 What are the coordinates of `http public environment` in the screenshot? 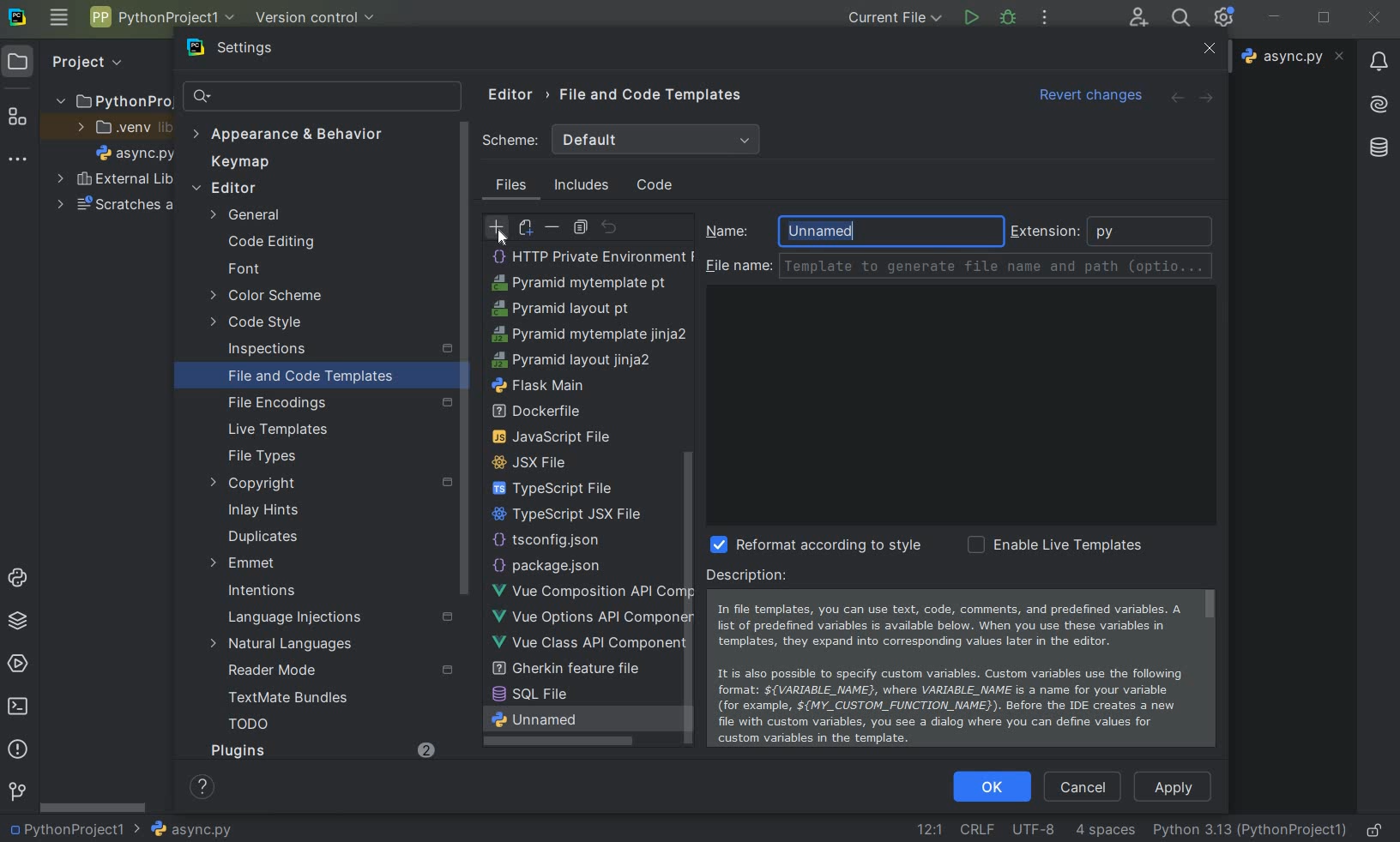 It's located at (590, 588).